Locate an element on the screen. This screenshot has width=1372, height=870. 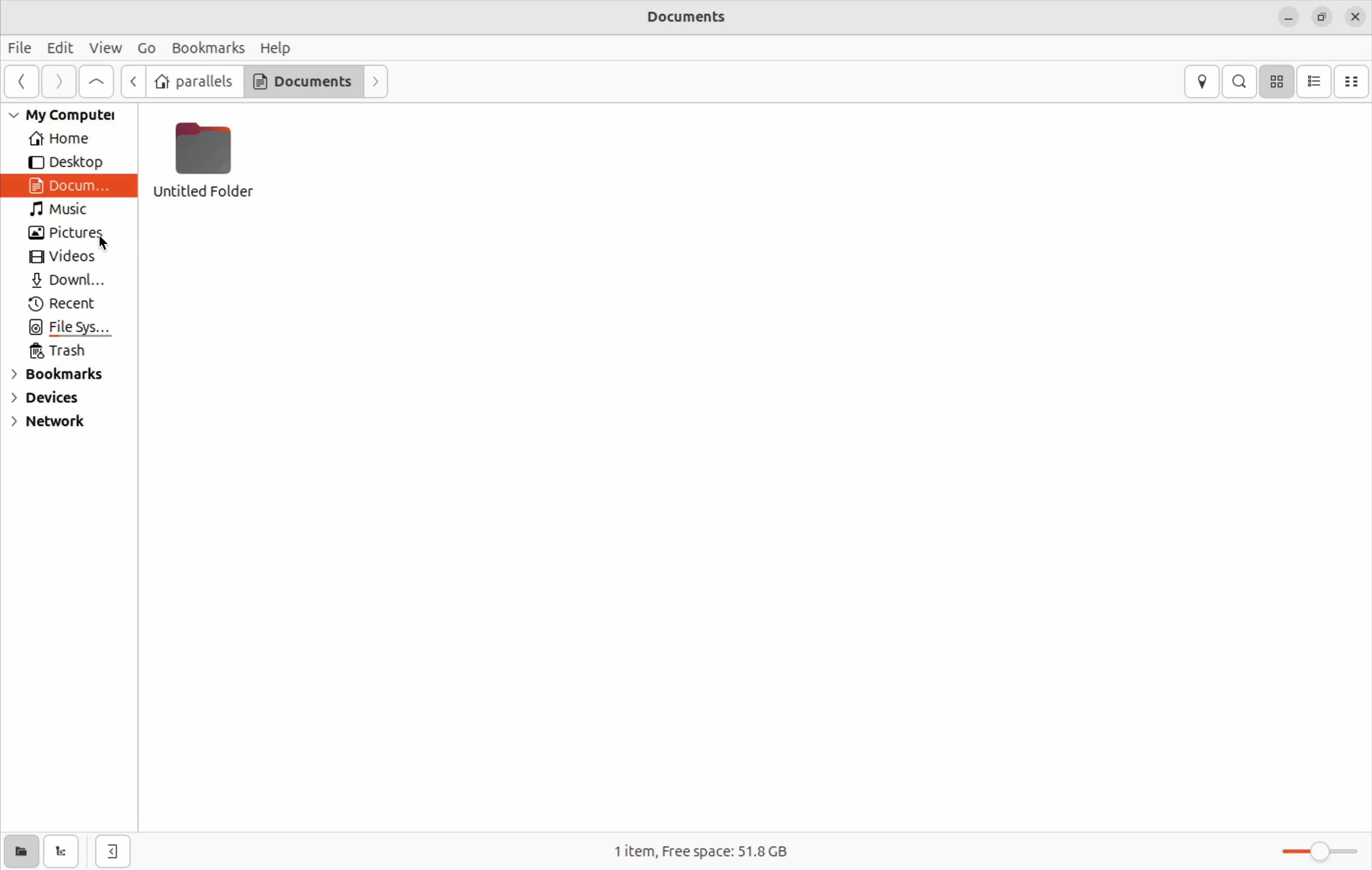
show tree view is located at coordinates (60, 851).